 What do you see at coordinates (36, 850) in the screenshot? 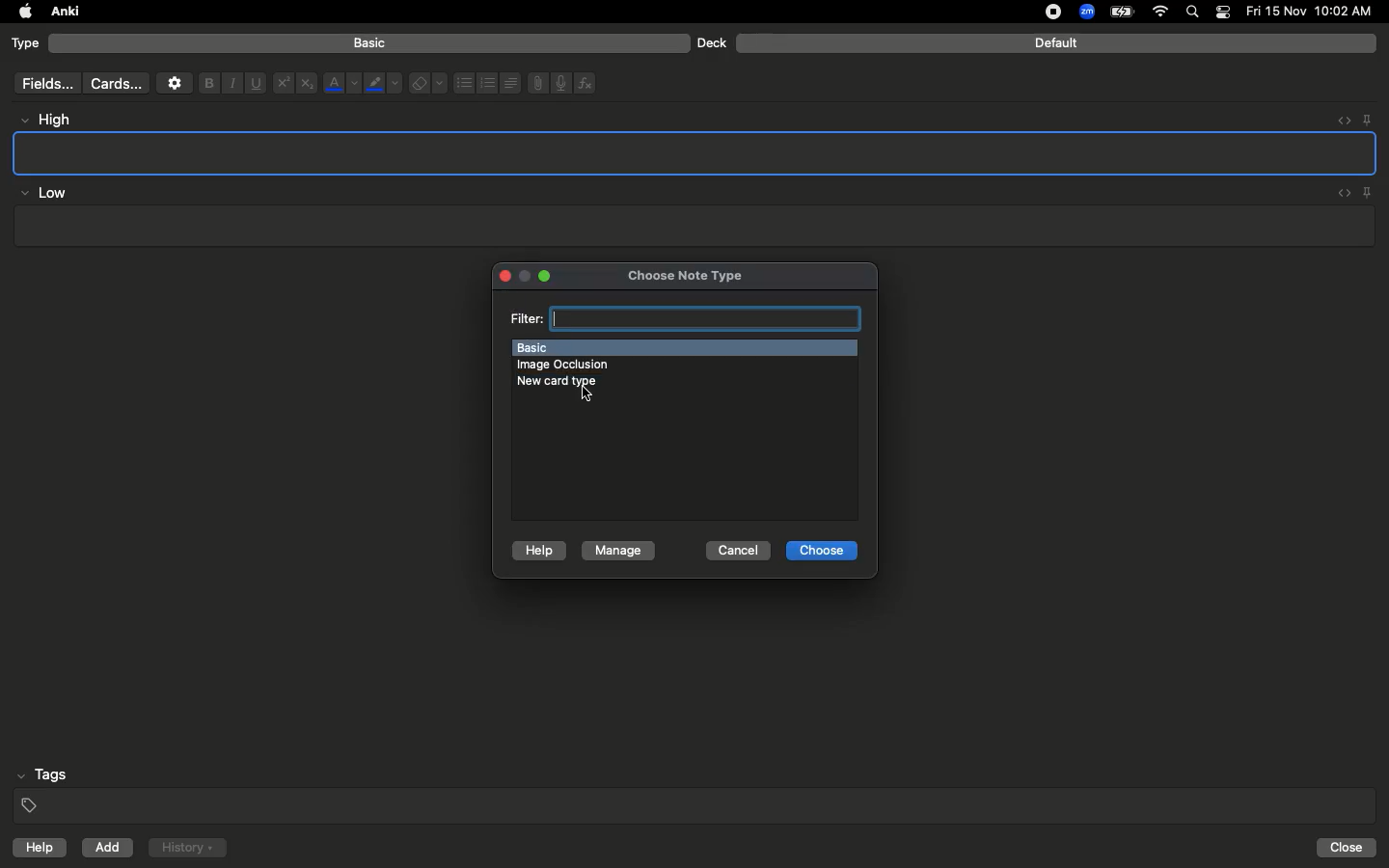
I see `help` at bounding box center [36, 850].